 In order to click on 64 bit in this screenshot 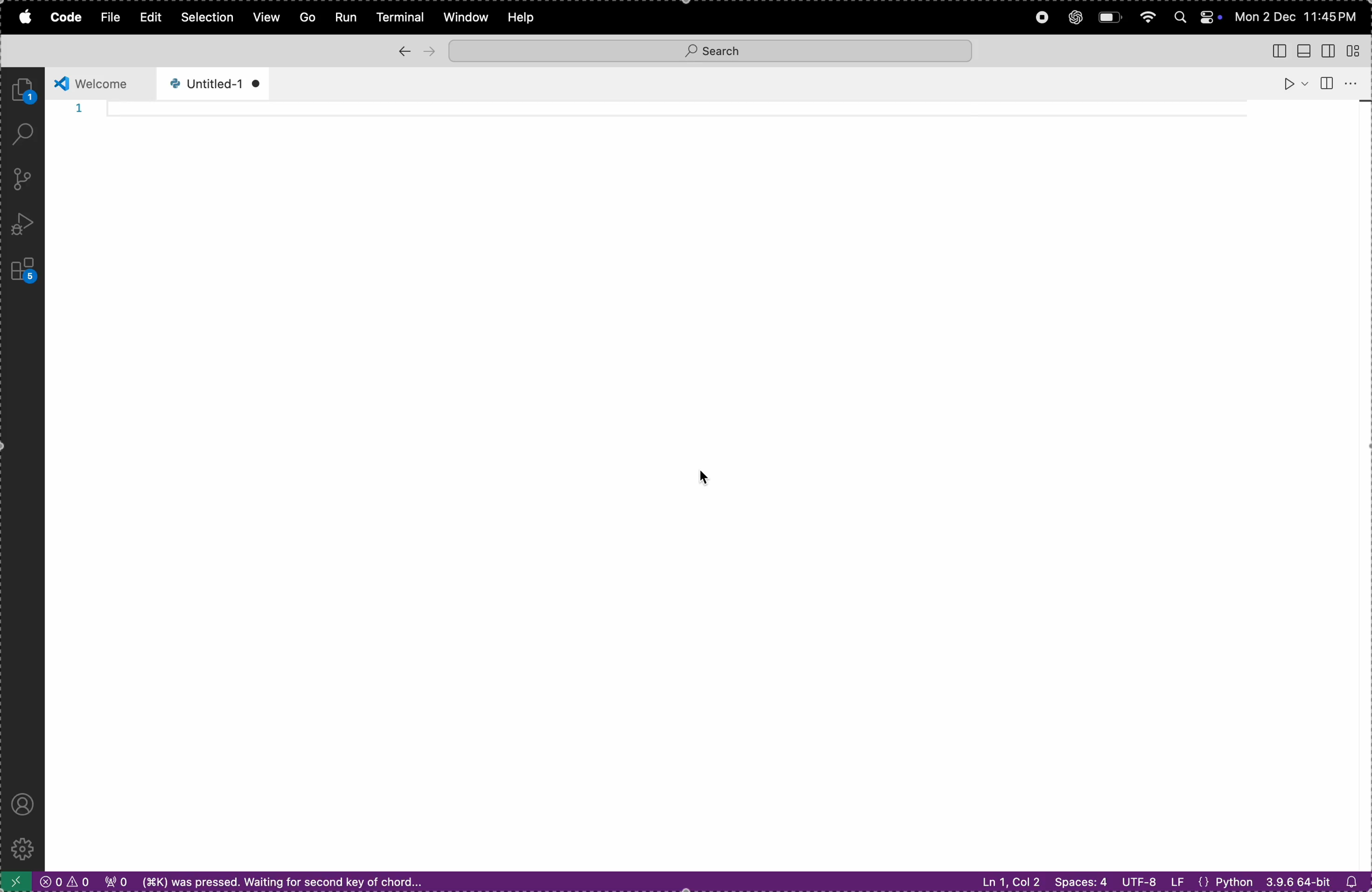, I will do `click(1297, 883)`.